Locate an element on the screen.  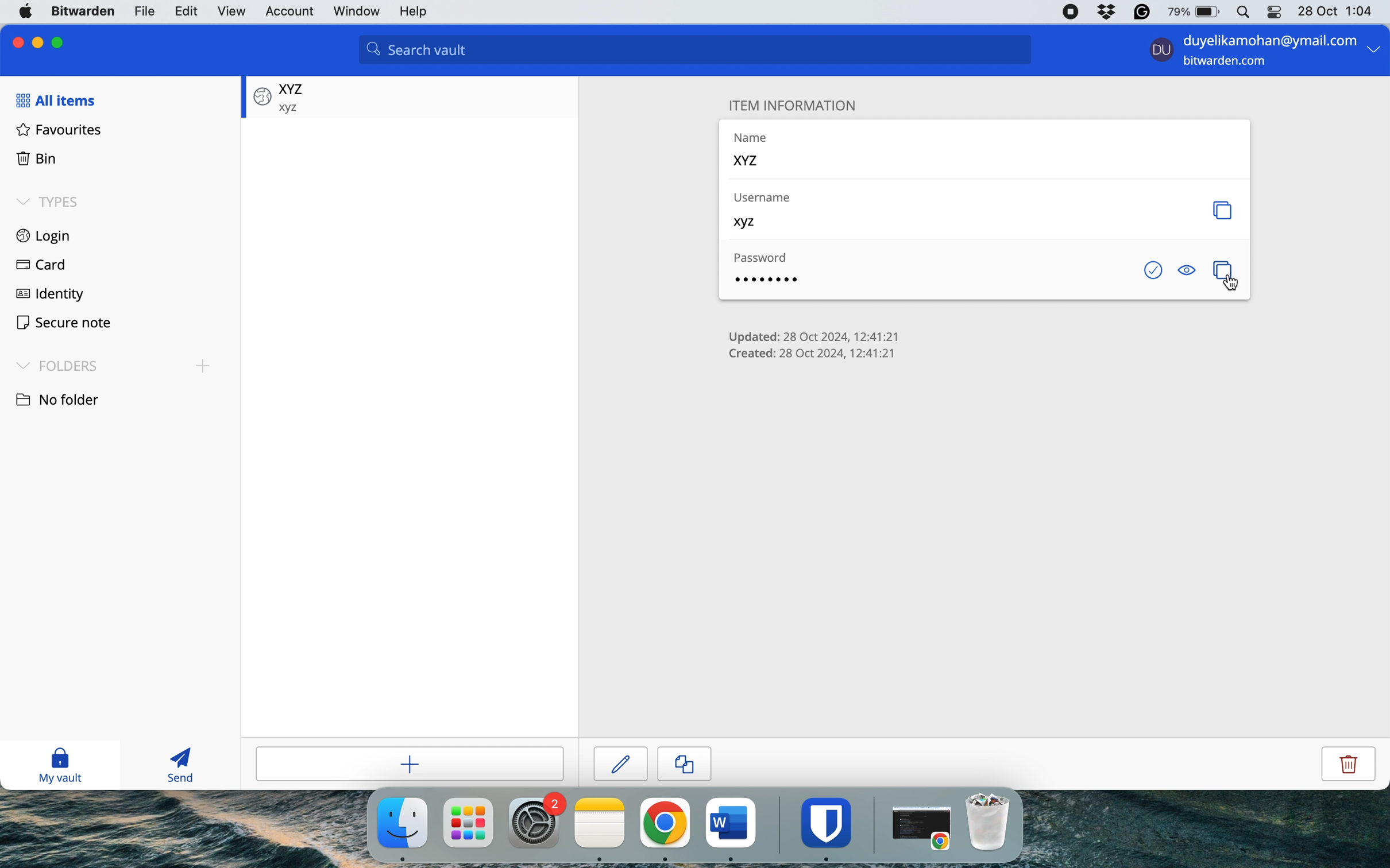
folders is located at coordinates (116, 364).